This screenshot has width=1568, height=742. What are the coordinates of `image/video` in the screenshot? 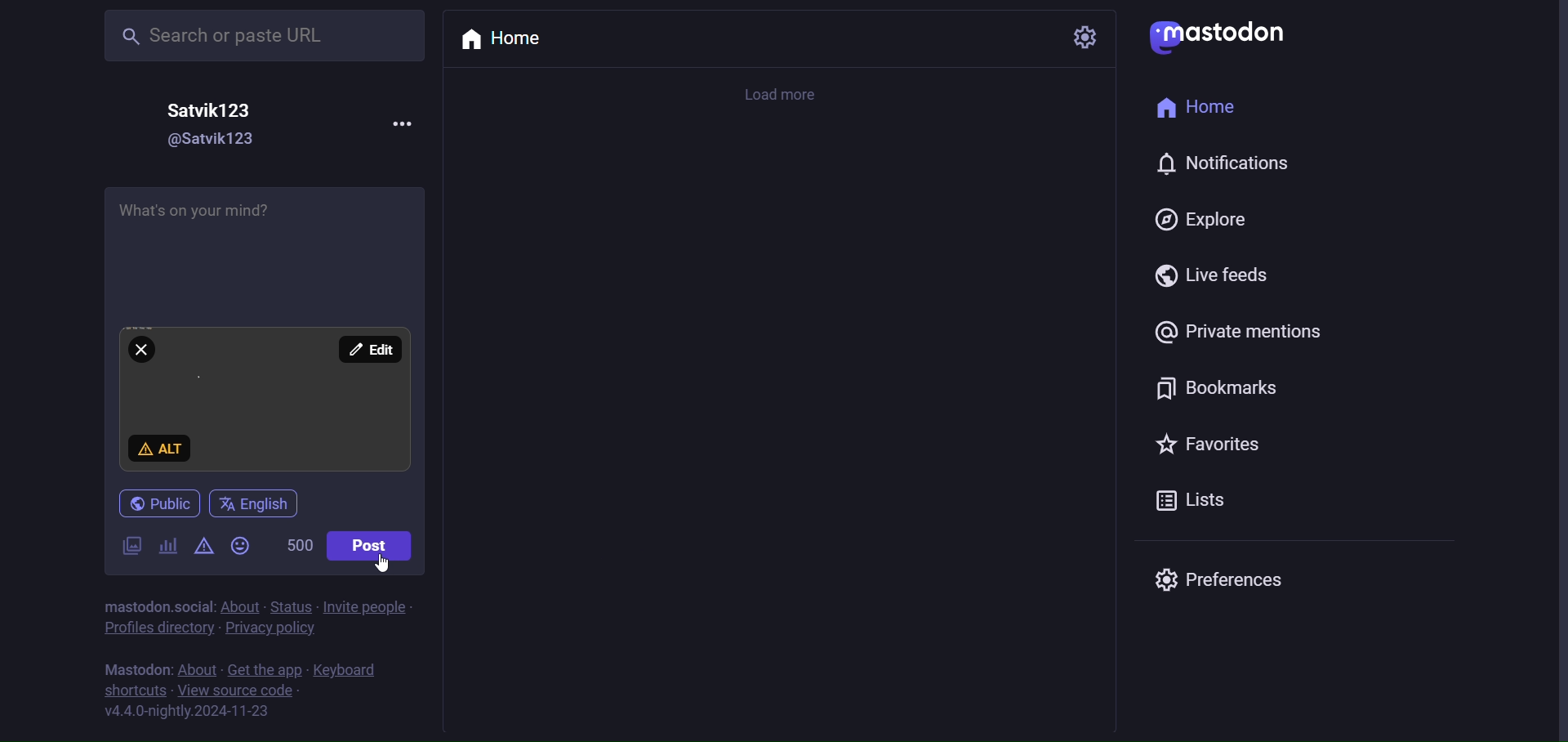 It's located at (131, 547).